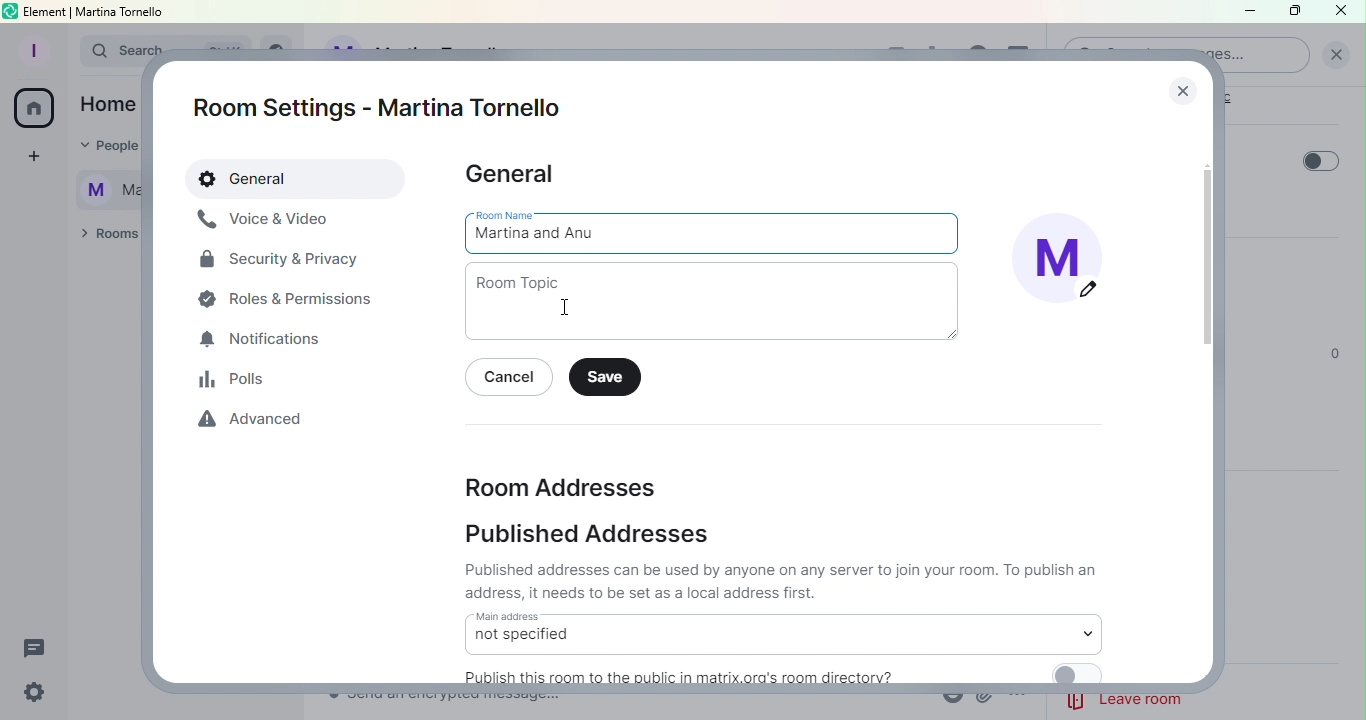 This screenshot has height=720, width=1366. I want to click on Polls, so click(239, 379).